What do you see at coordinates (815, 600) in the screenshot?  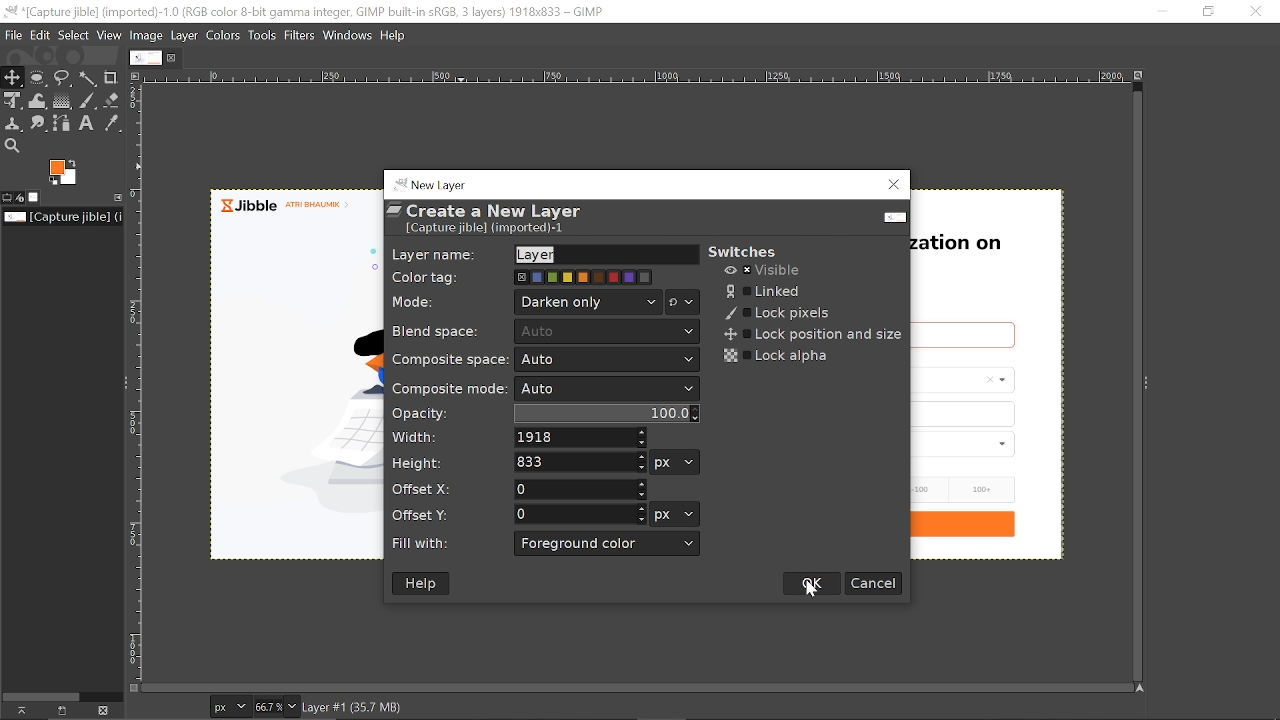 I see `cursor` at bounding box center [815, 600].